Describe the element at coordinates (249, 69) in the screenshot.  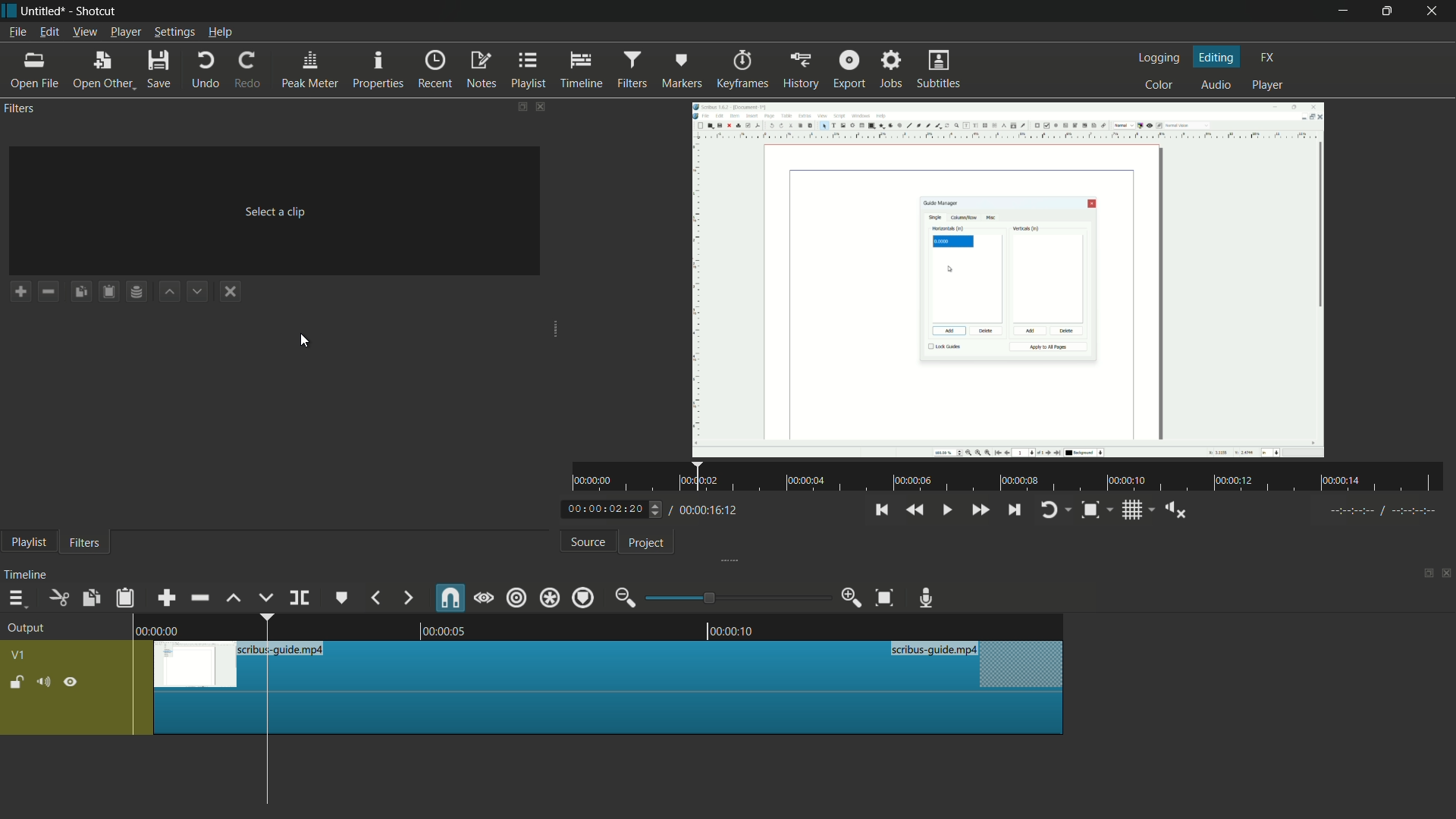
I see `redo` at that location.